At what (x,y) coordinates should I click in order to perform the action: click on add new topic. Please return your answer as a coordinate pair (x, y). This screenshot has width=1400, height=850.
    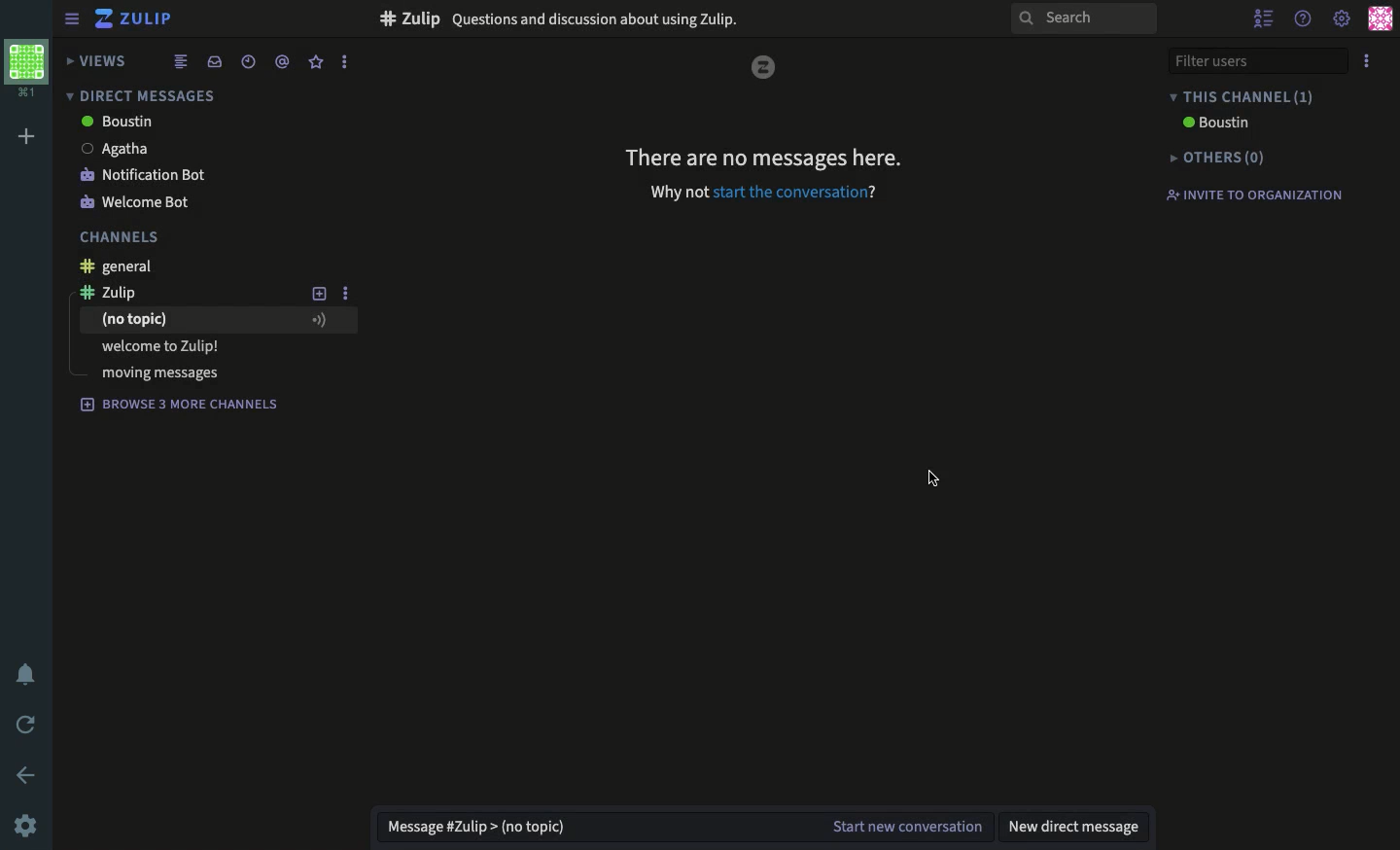
    Looking at the image, I should click on (320, 293).